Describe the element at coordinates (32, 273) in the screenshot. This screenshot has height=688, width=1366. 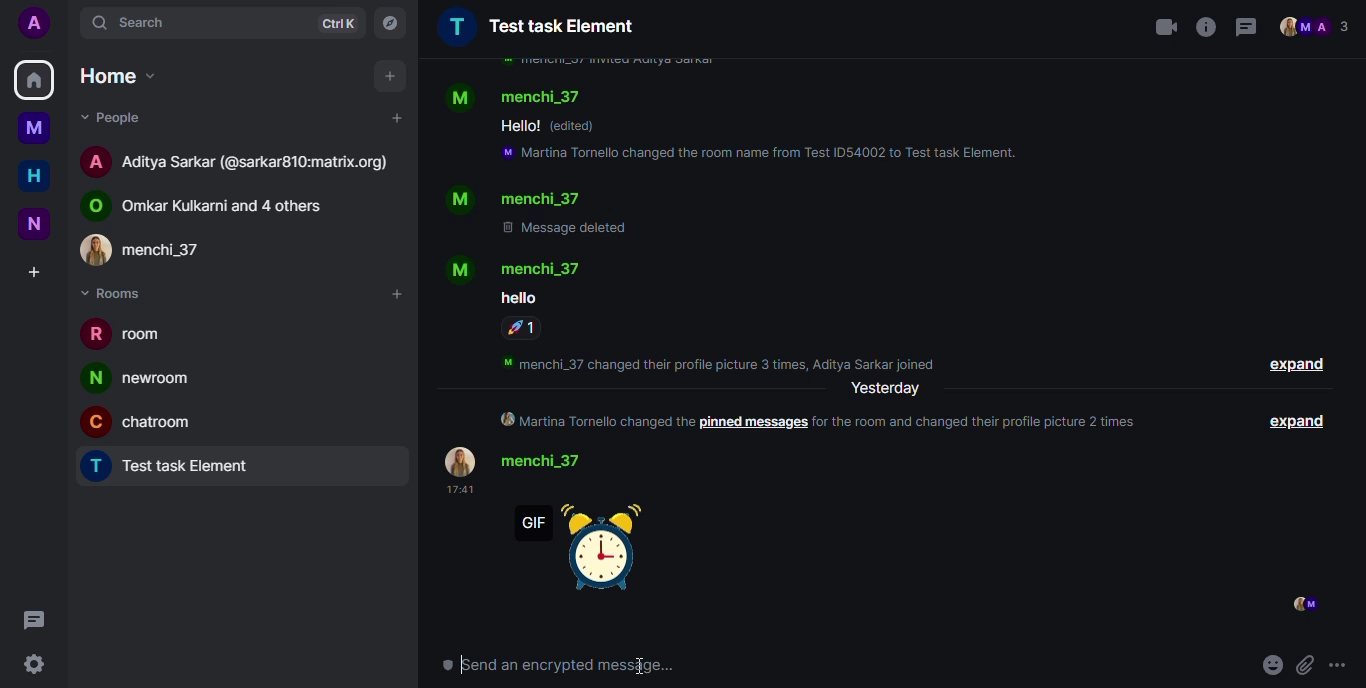
I see `create space` at that location.